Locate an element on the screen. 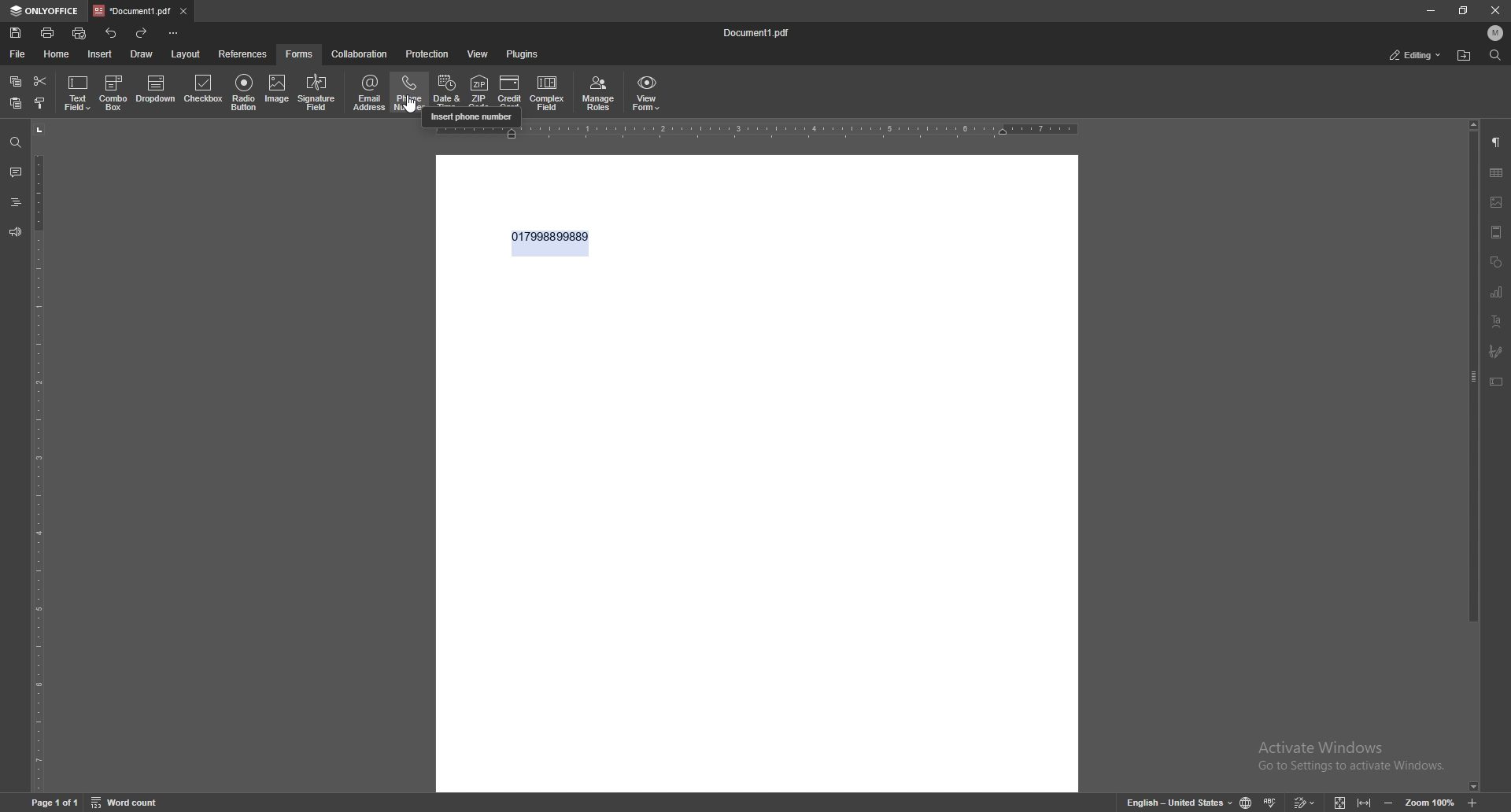  print is located at coordinates (49, 32).